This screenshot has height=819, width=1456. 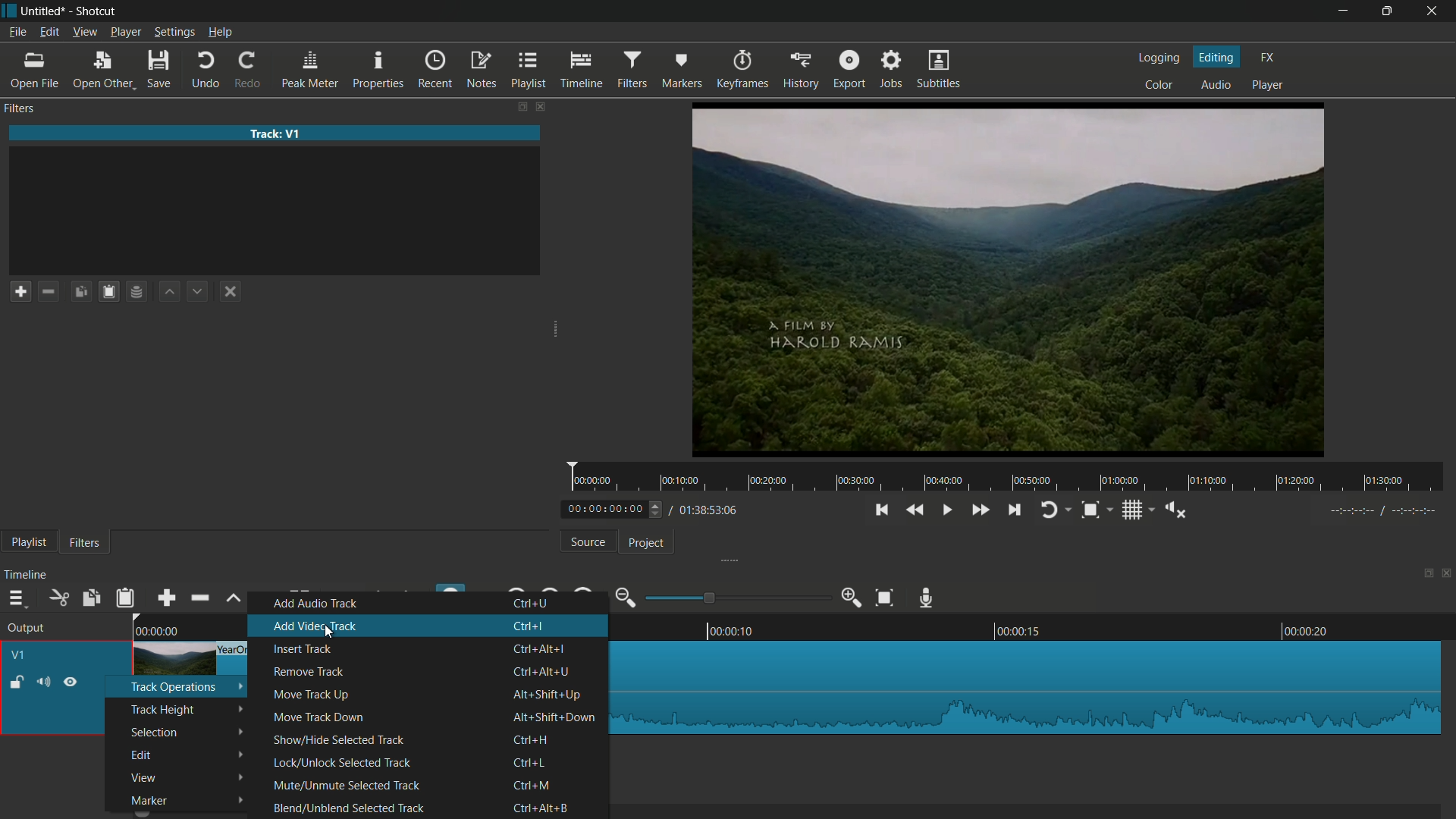 I want to click on filters, so click(x=88, y=542).